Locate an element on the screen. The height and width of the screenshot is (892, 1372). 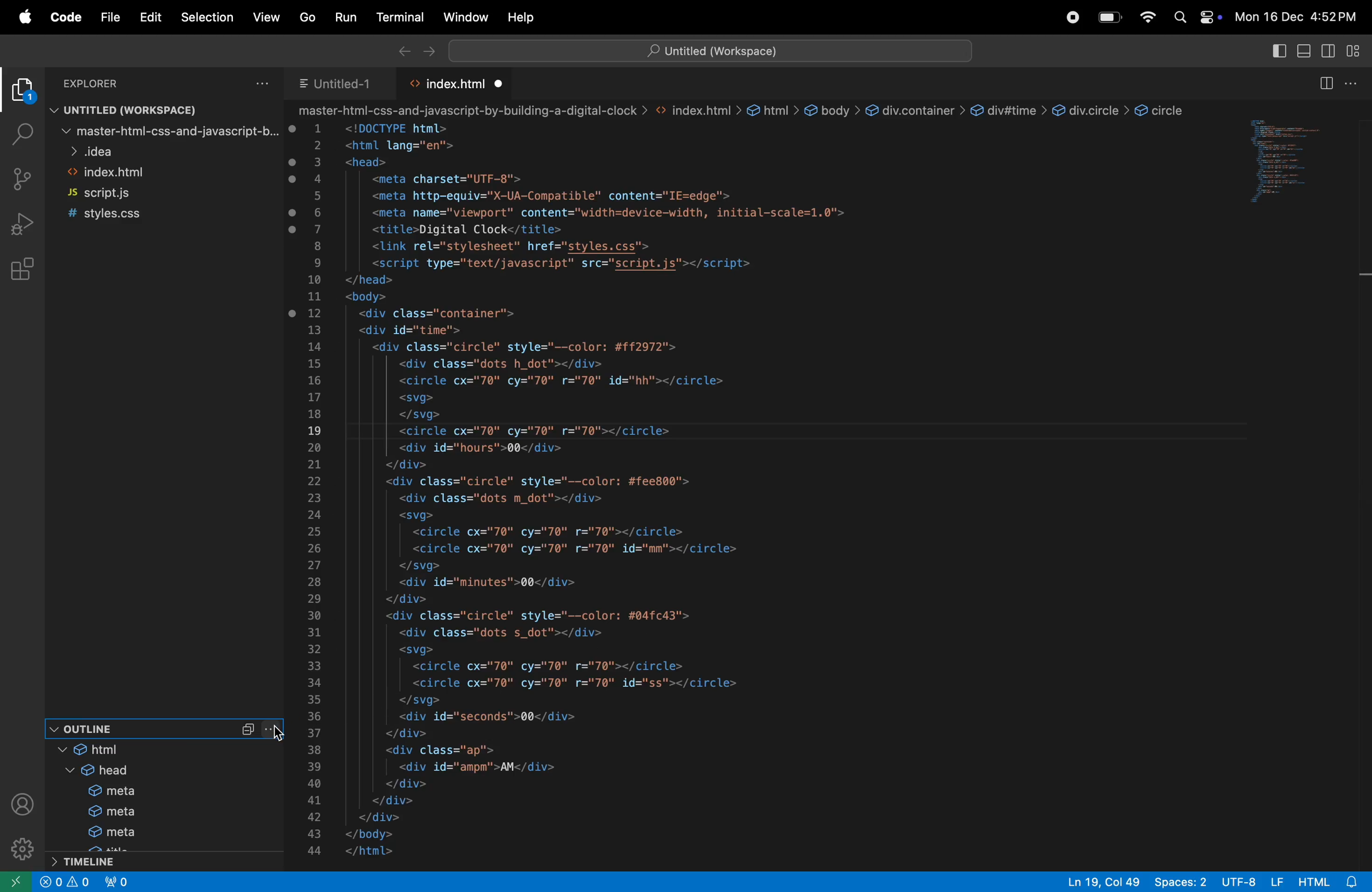
date and time is located at coordinates (1299, 16).